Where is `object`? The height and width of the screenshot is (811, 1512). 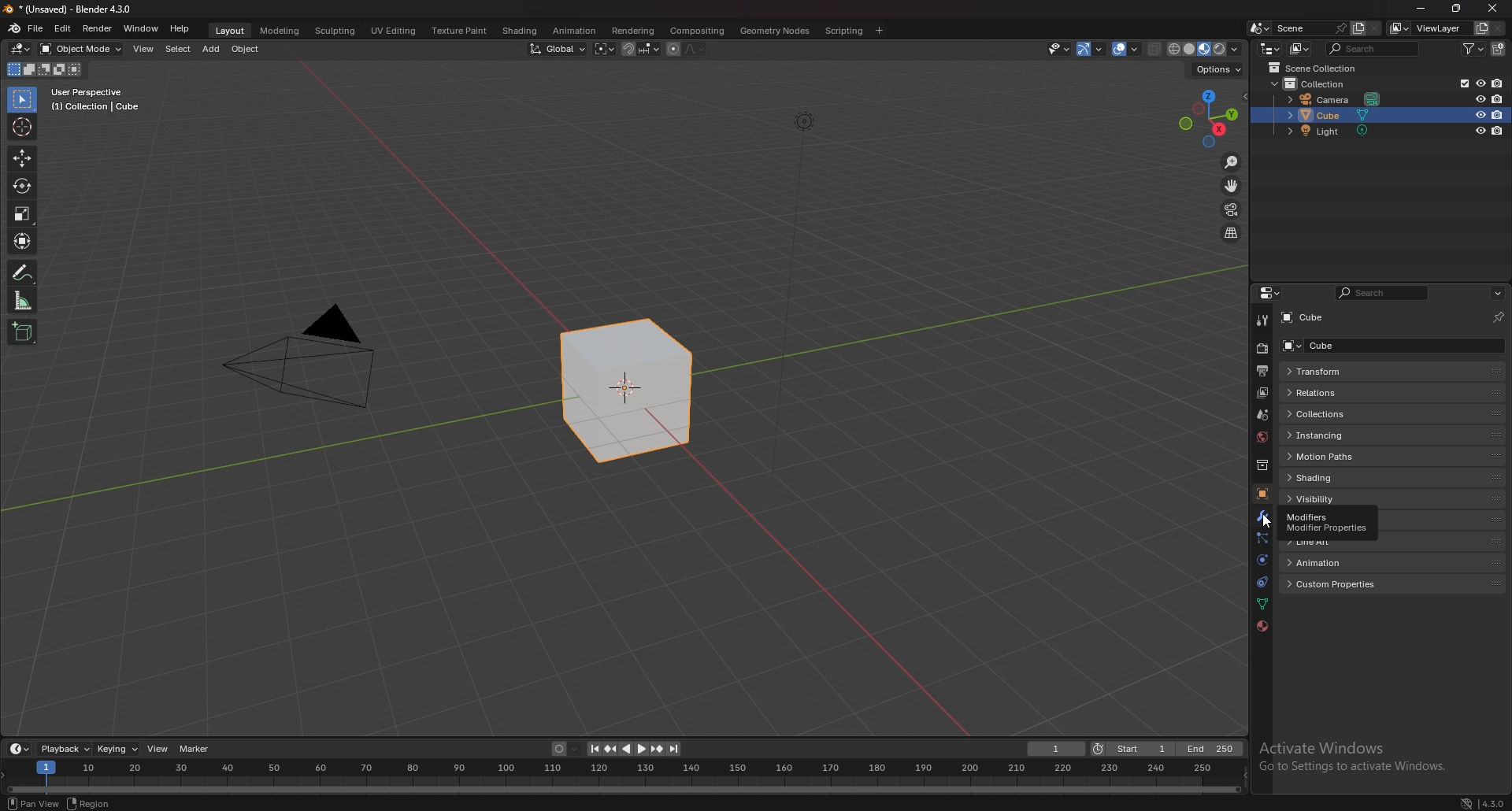
object is located at coordinates (246, 49).